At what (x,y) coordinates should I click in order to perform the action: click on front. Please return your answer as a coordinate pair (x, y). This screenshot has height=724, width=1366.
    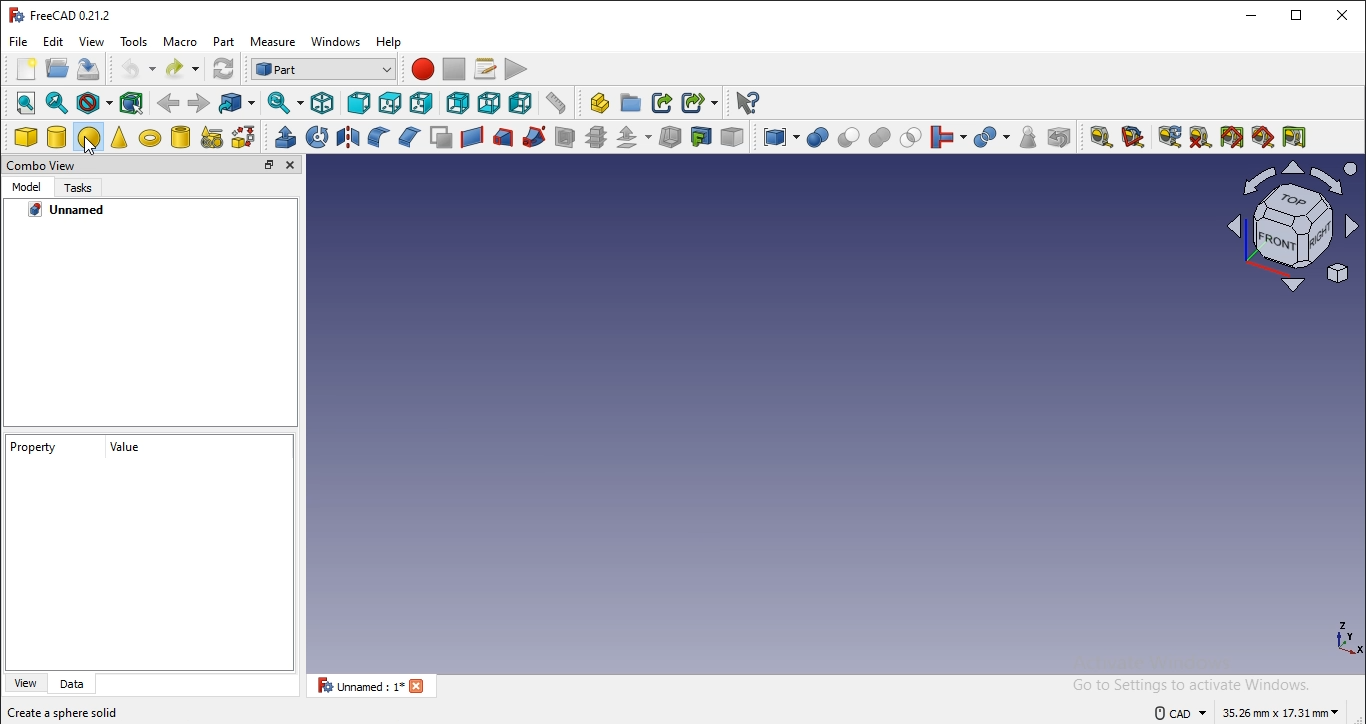
    Looking at the image, I should click on (359, 103).